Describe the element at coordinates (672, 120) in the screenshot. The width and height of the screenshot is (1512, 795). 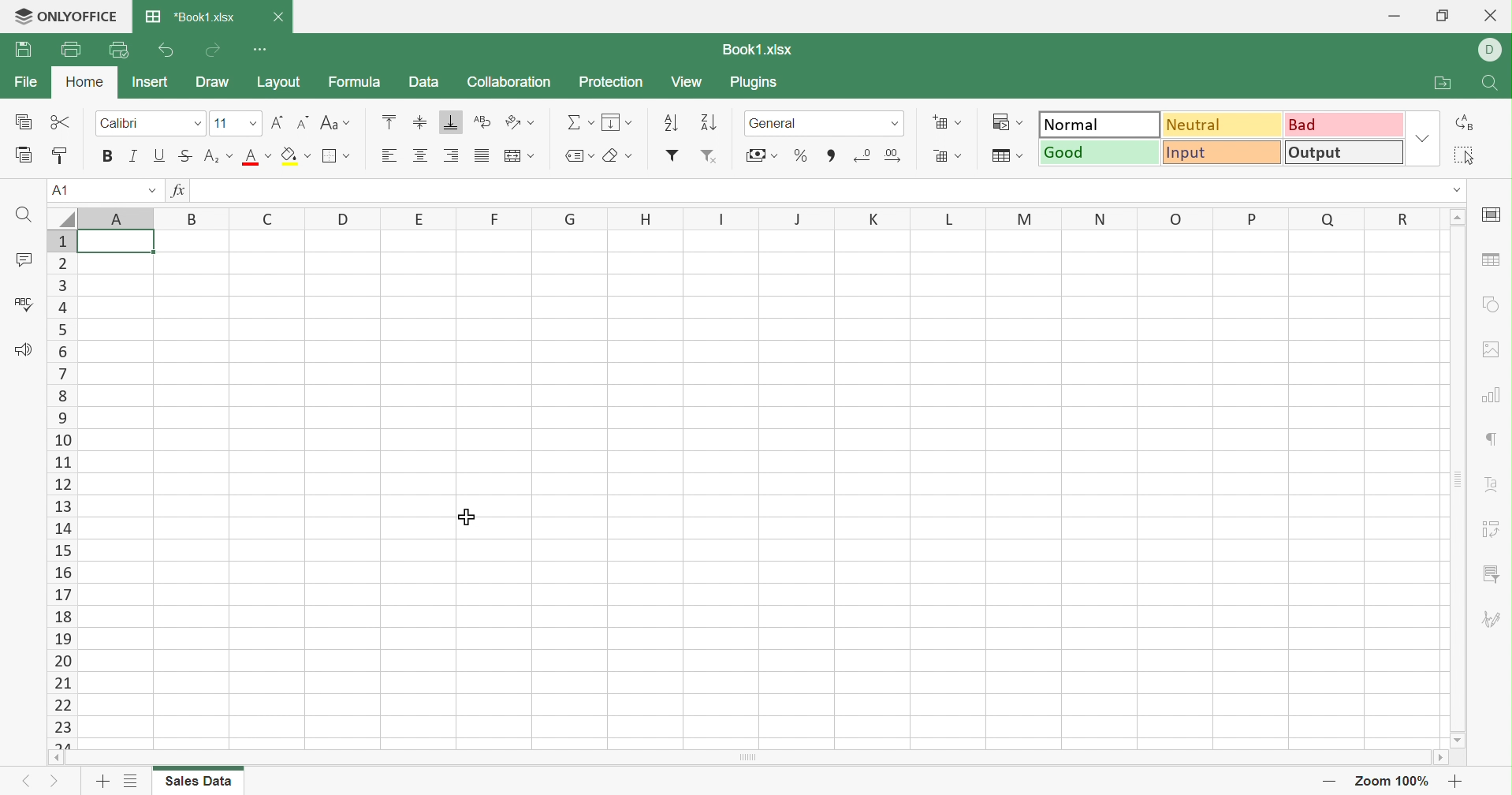
I see `Ascending order` at that location.